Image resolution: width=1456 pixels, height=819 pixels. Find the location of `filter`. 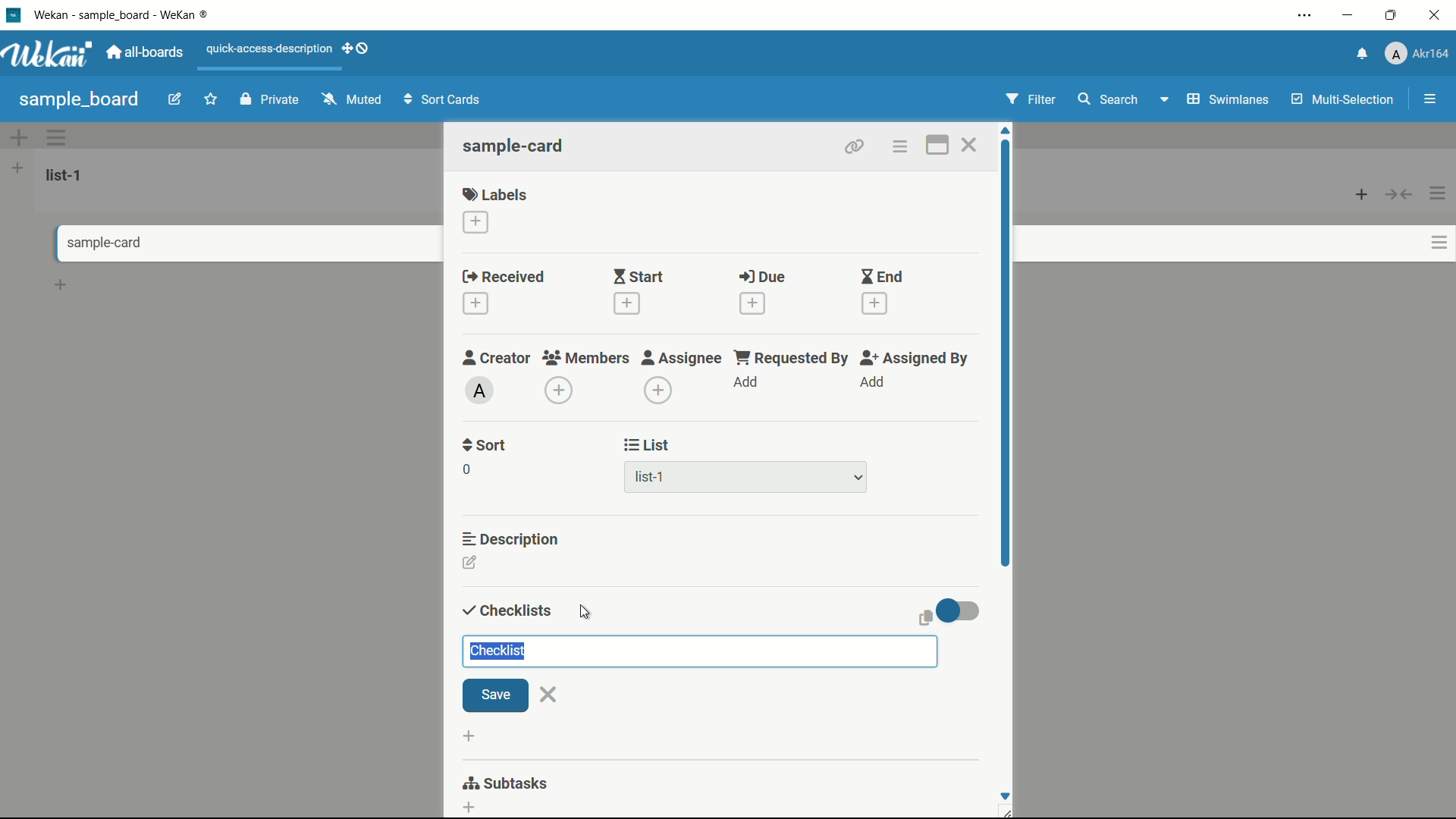

filter is located at coordinates (1031, 100).